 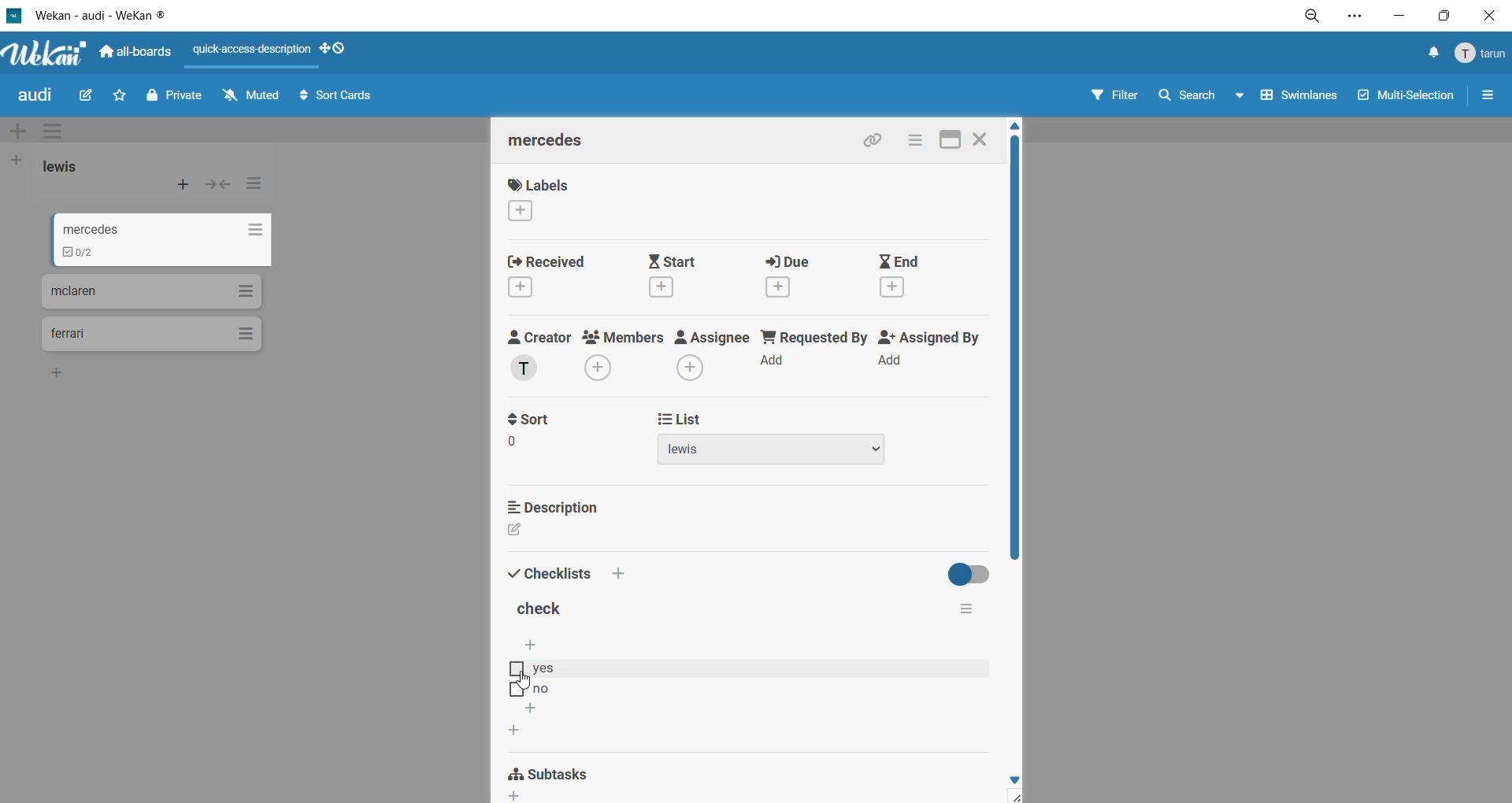 I want to click on close, so click(x=1489, y=19).